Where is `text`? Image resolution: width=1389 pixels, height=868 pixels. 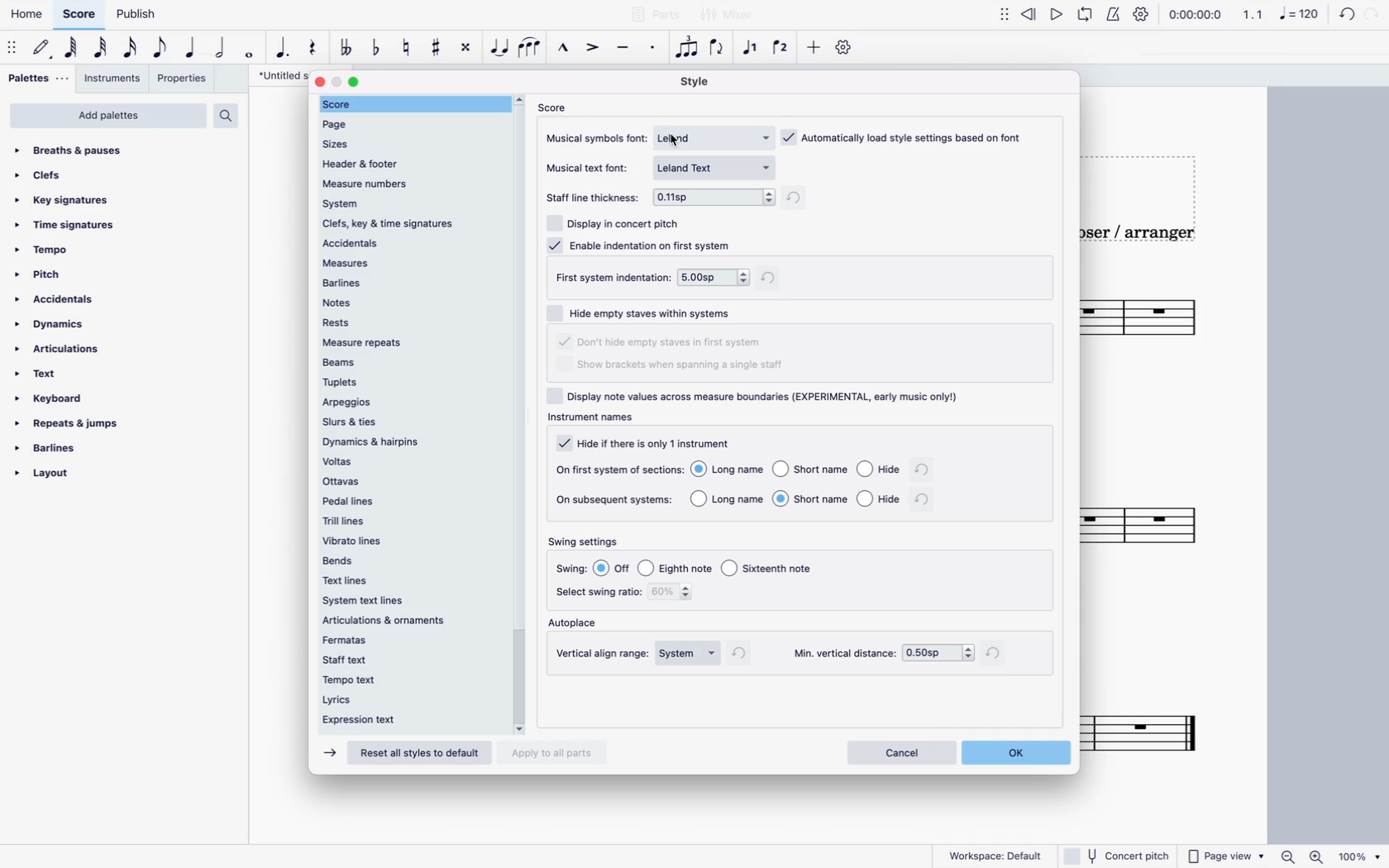
text is located at coordinates (45, 374).